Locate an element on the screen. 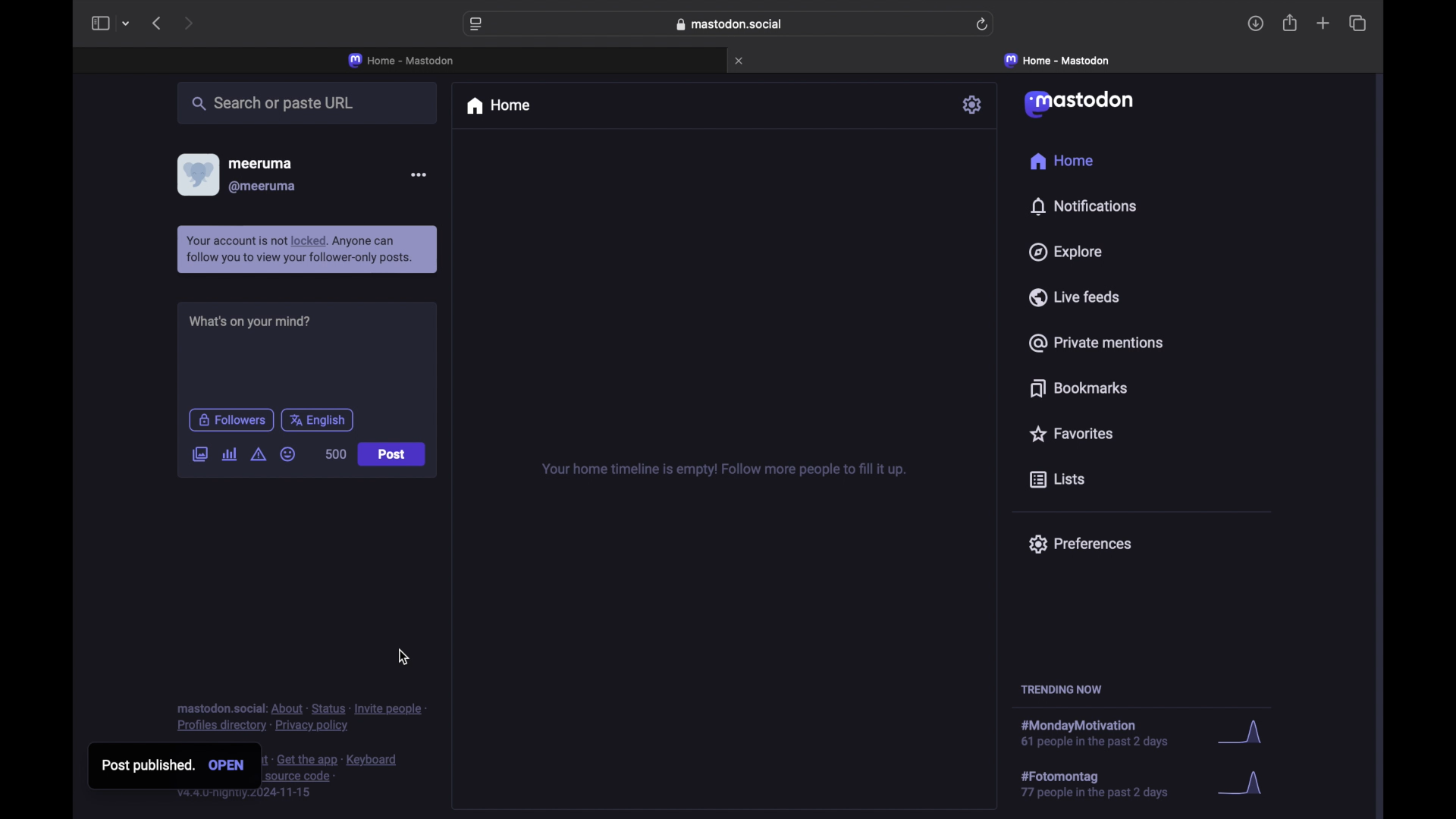  cursor is located at coordinates (202, 466).